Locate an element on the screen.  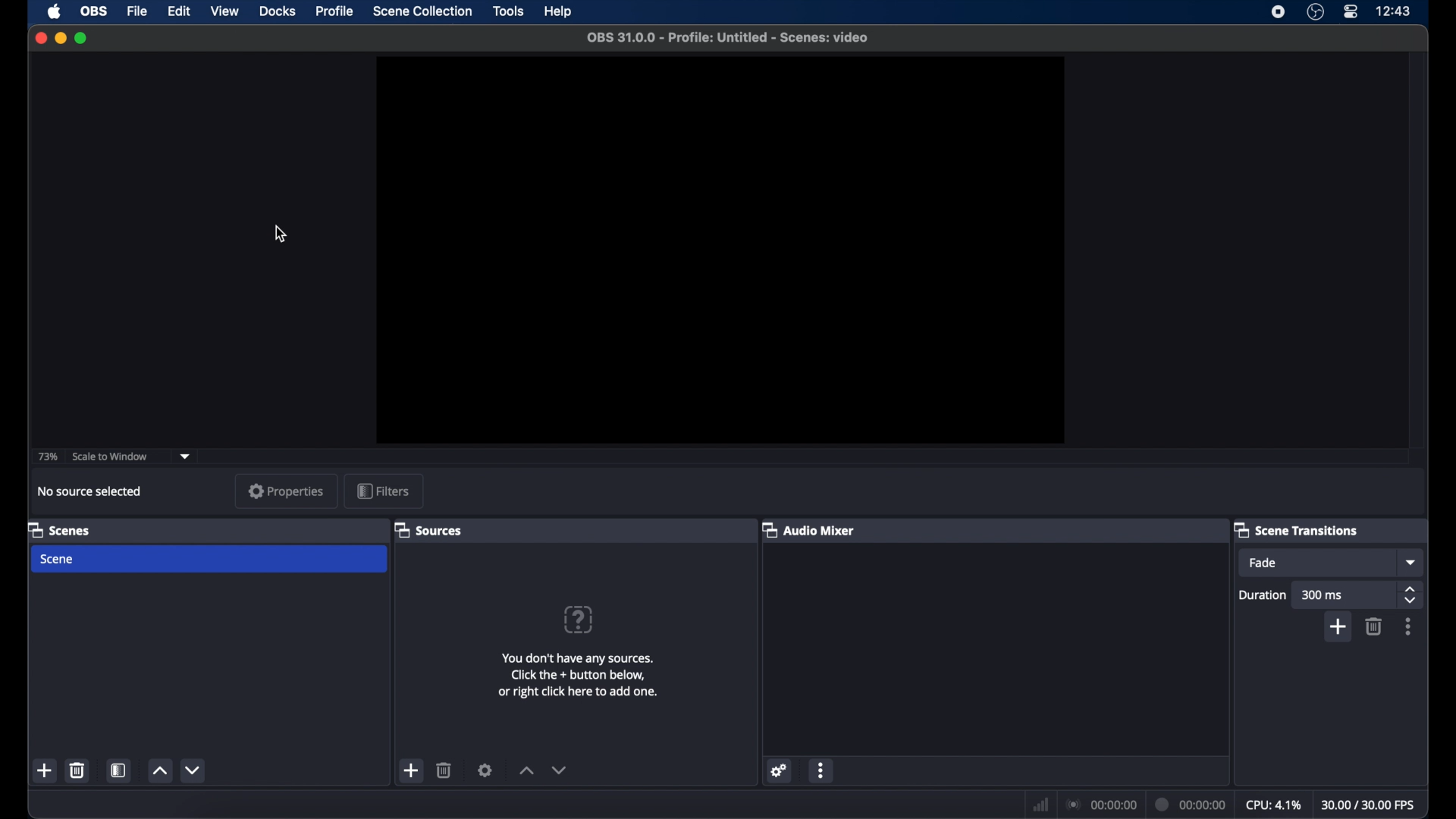
screen recording icon is located at coordinates (1279, 12).